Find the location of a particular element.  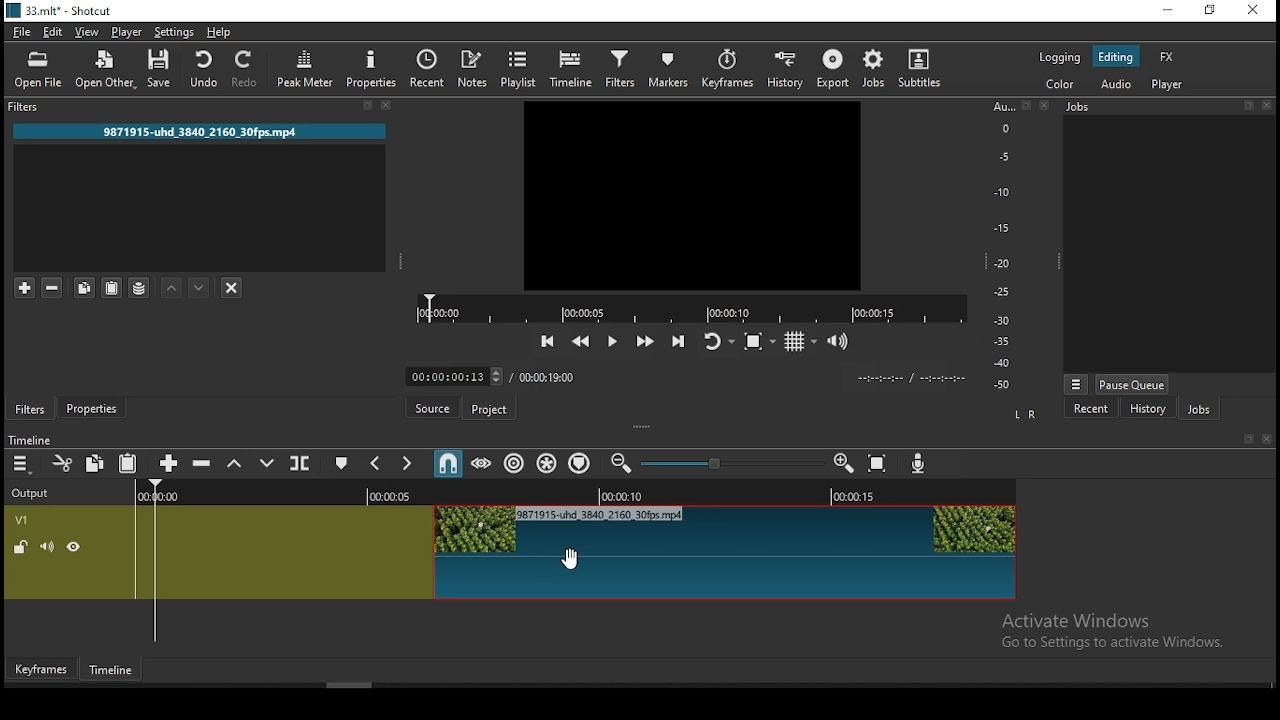

move filter down is located at coordinates (201, 286).